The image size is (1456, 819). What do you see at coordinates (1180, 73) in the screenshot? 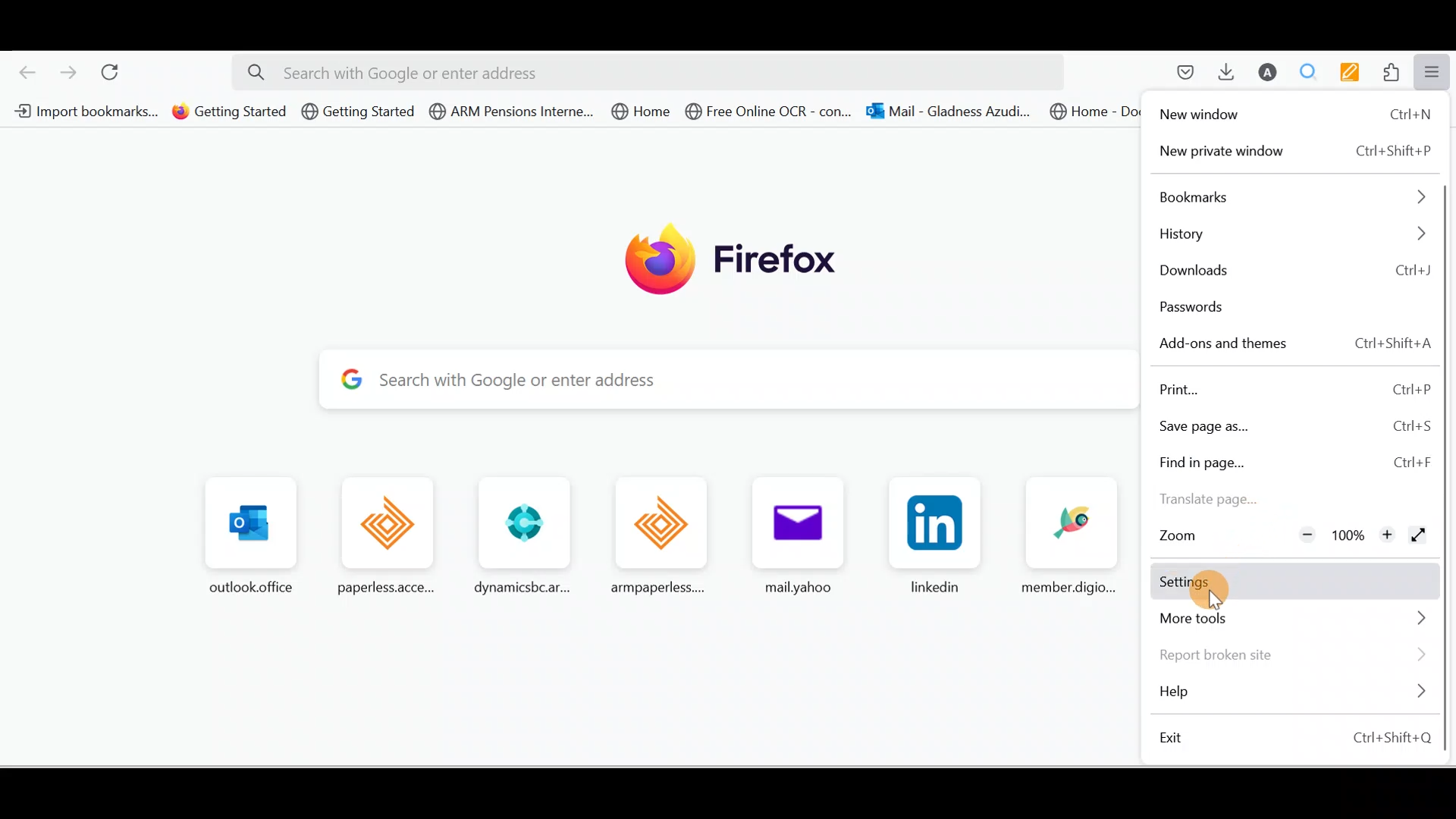
I see `Save to pocket` at bounding box center [1180, 73].